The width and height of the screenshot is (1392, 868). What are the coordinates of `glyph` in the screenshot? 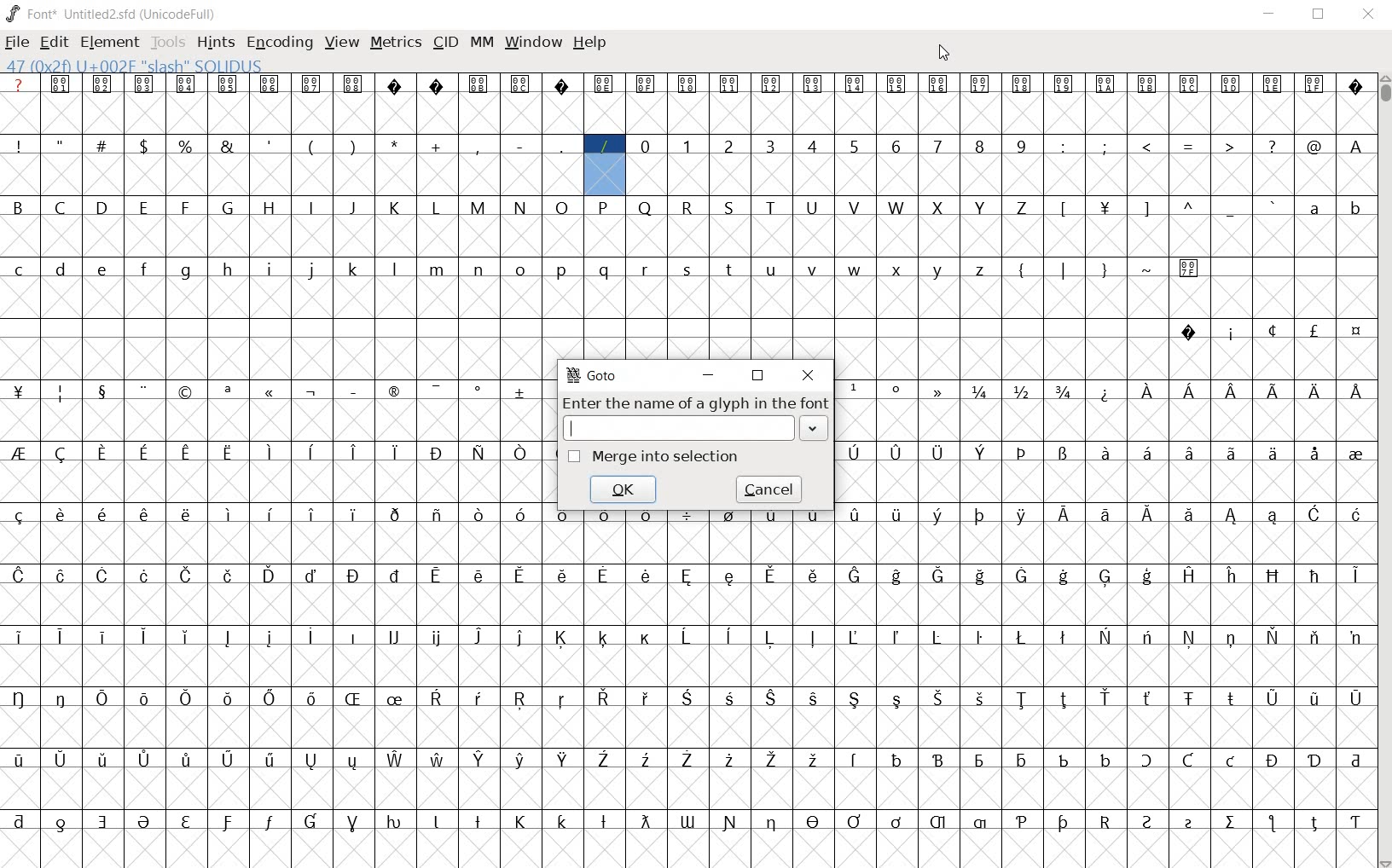 It's located at (687, 576).